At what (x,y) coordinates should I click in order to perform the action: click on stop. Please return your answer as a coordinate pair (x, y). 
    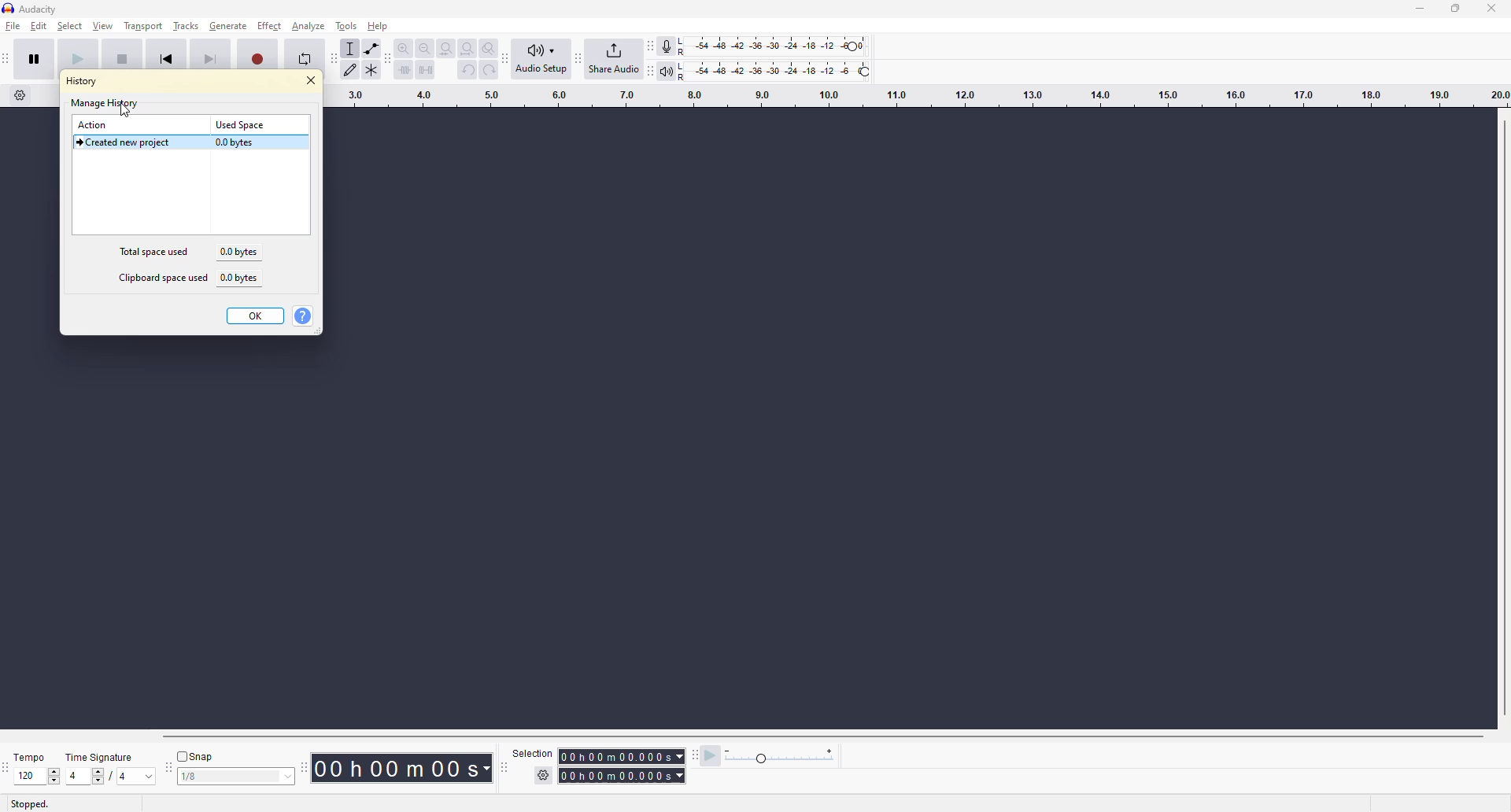
    Looking at the image, I should click on (124, 58).